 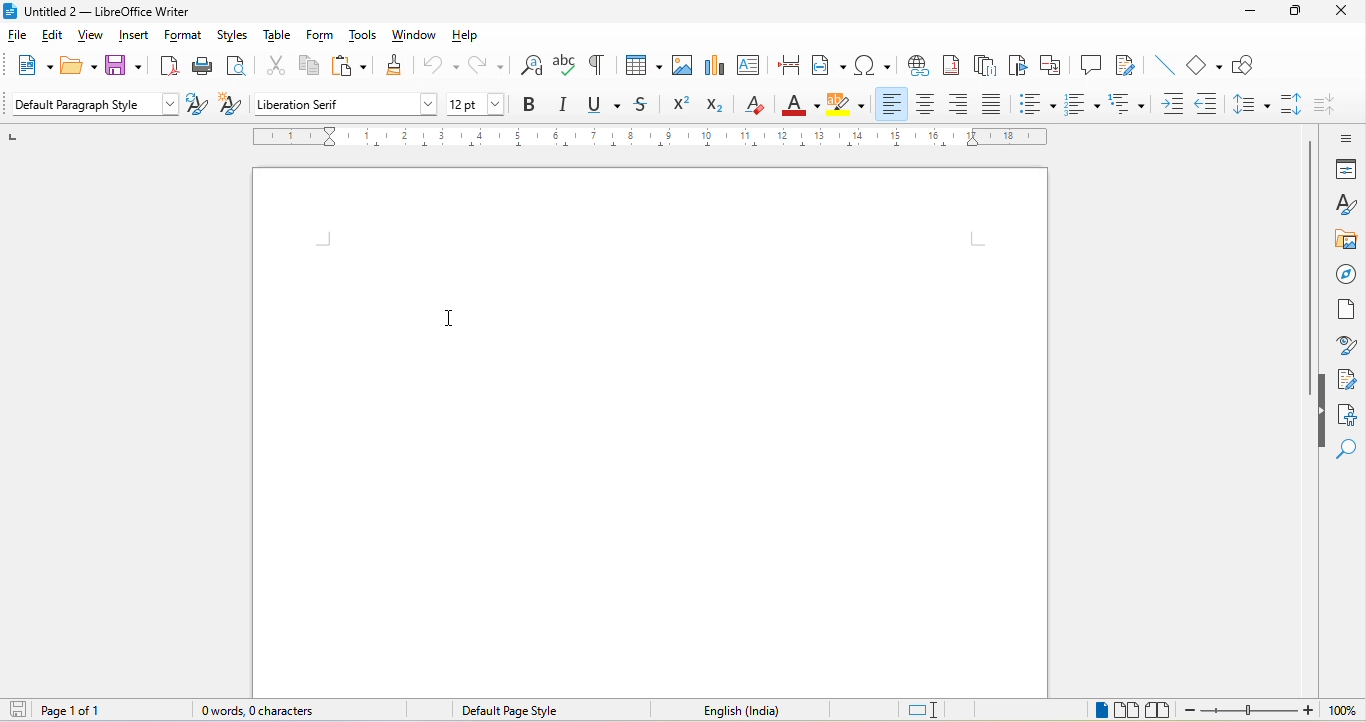 I want to click on new, so click(x=30, y=64).